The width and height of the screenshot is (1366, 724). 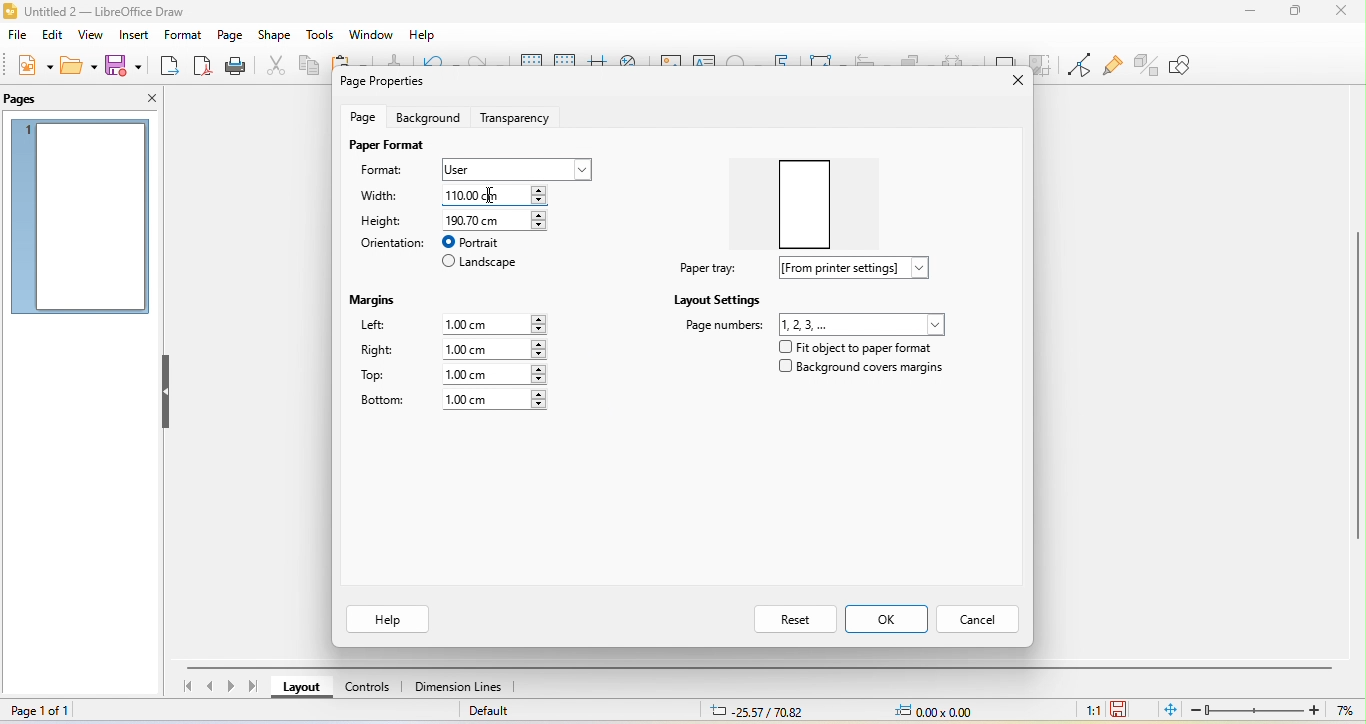 I want to click on first page, so click(x=185, y=689).